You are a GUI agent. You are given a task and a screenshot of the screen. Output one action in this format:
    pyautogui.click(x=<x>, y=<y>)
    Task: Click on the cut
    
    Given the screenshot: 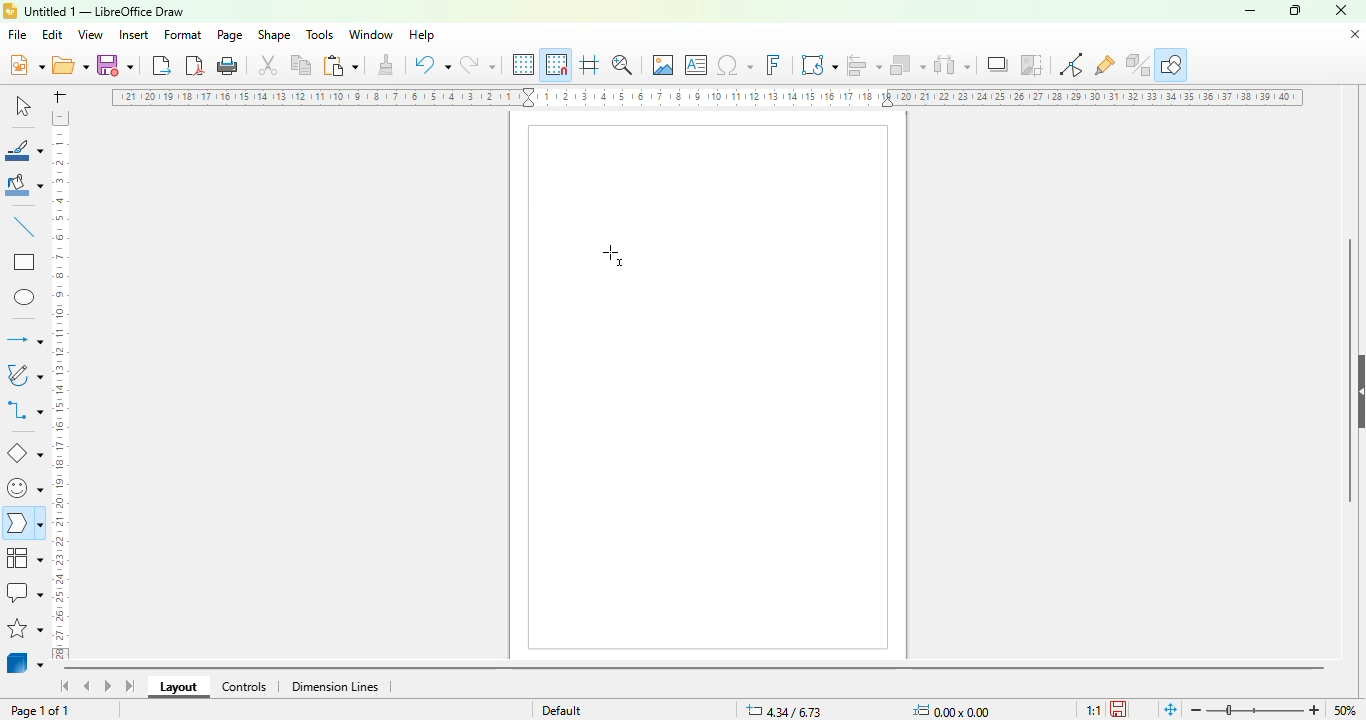 What is the action you would take?
    pyautogui.click(x=268, y=65)
    